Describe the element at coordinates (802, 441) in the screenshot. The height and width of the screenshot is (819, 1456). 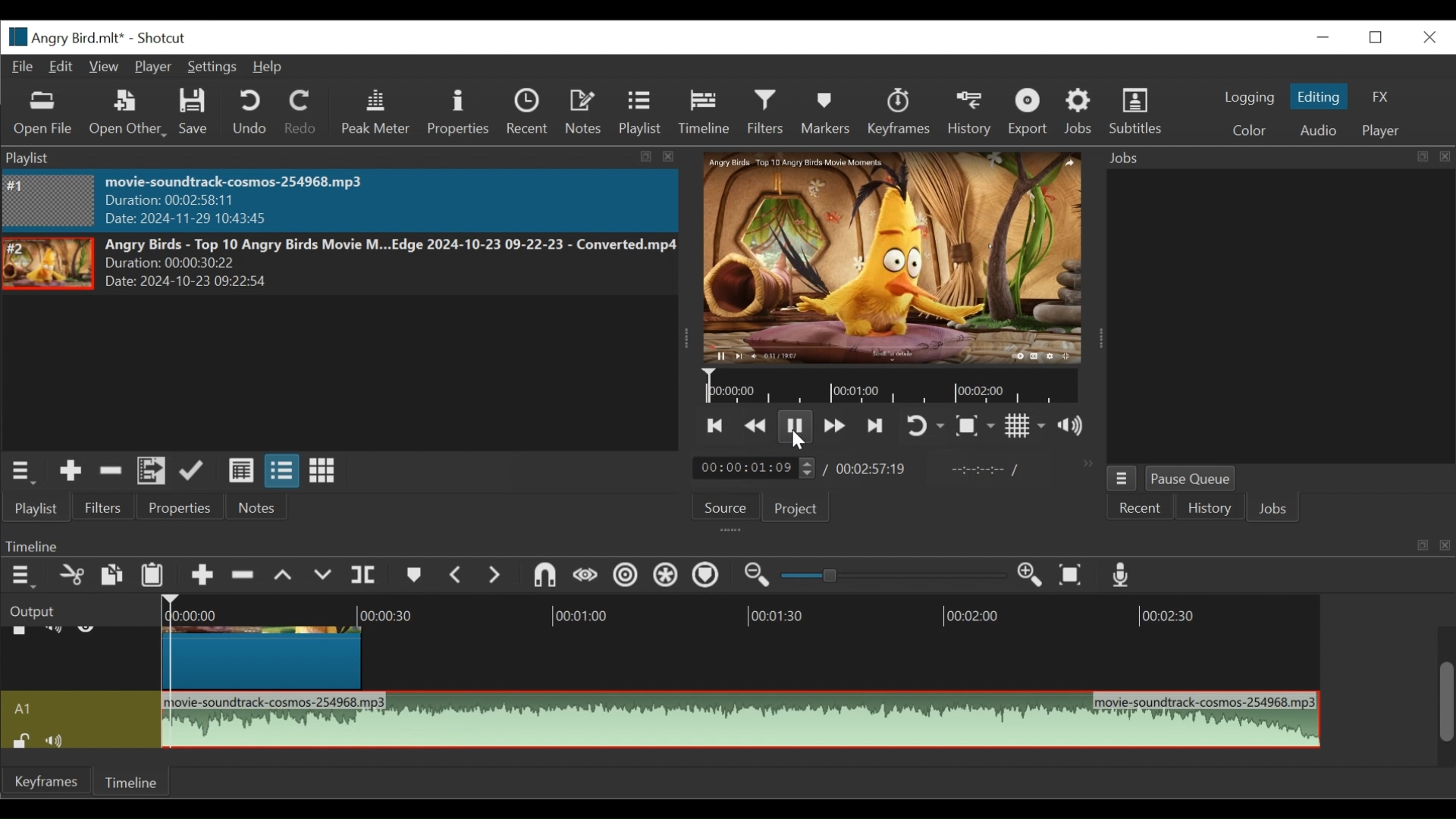
I see `cursor` at that location.